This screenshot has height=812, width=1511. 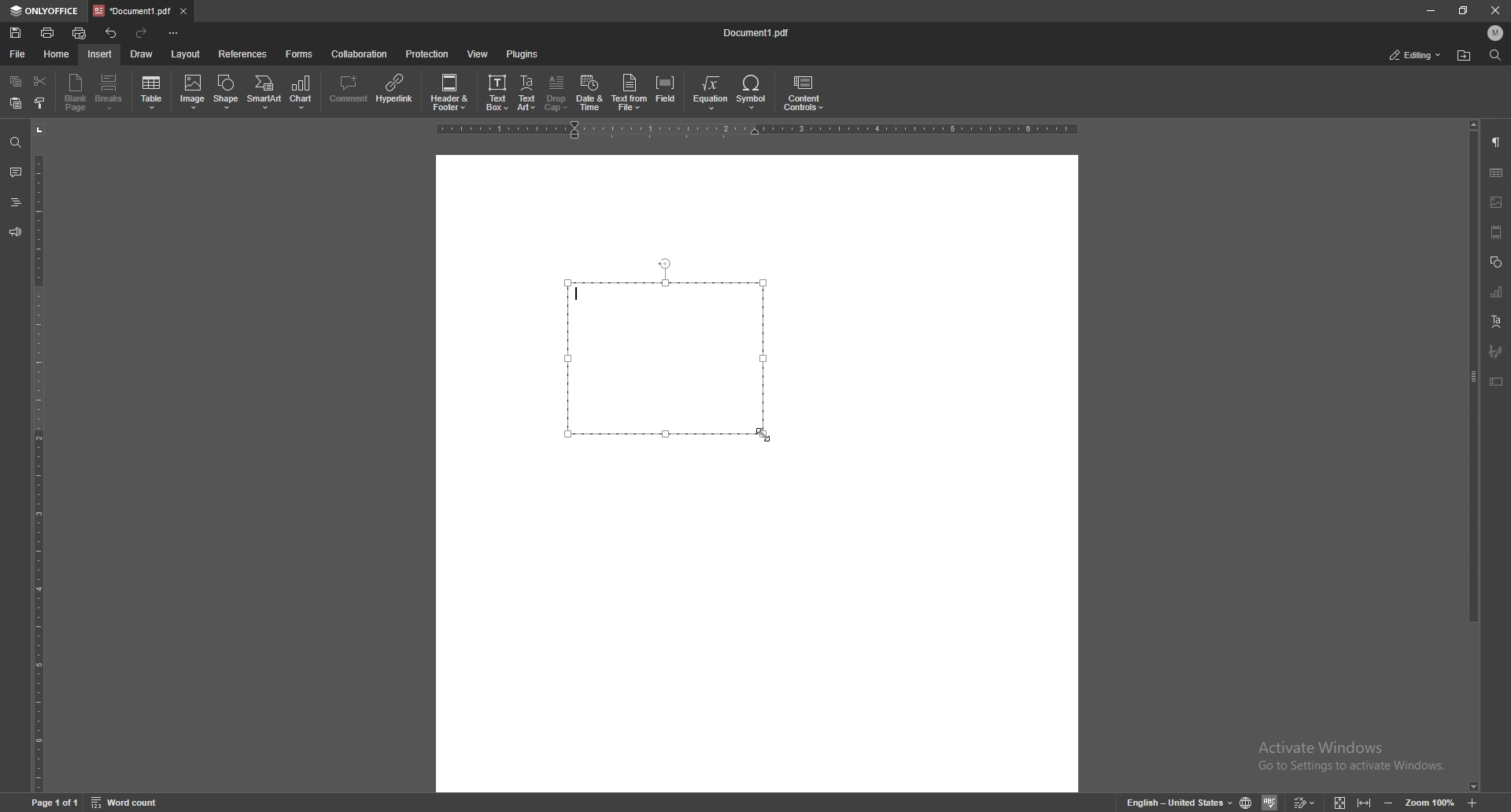 I want to click on image, so click(x=1498, y=202).